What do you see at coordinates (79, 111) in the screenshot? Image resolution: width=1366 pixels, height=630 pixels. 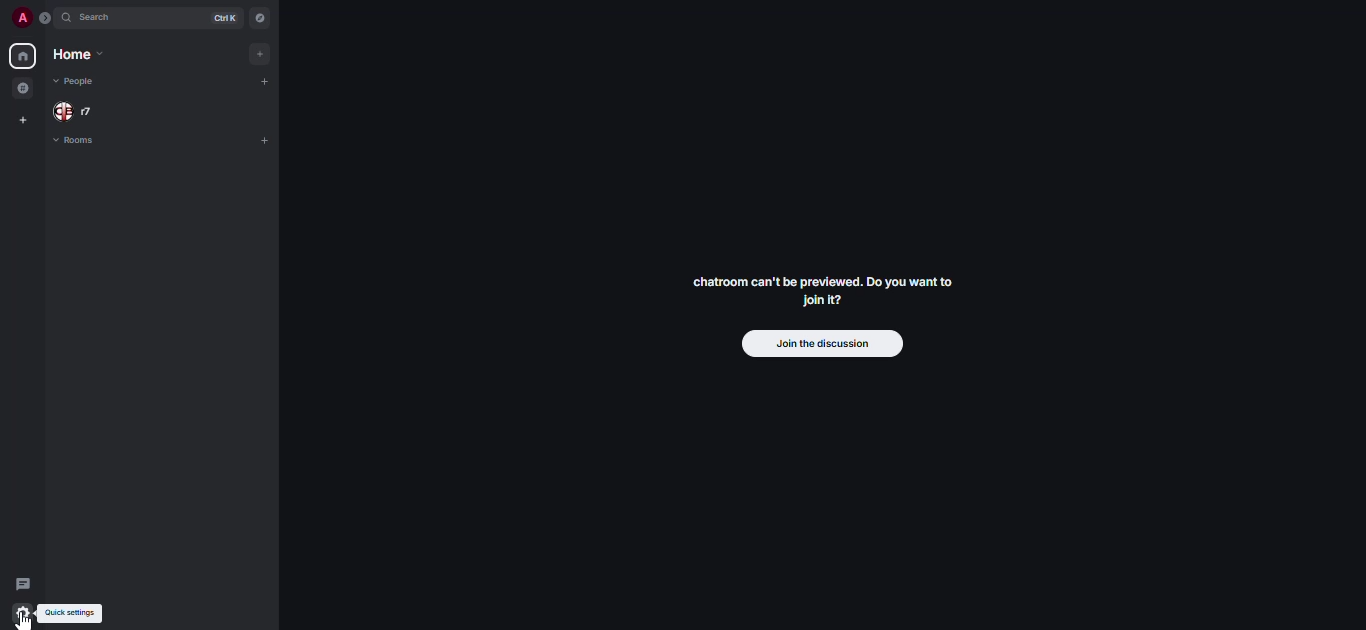 I see `people` at bounding box center [79, 111].